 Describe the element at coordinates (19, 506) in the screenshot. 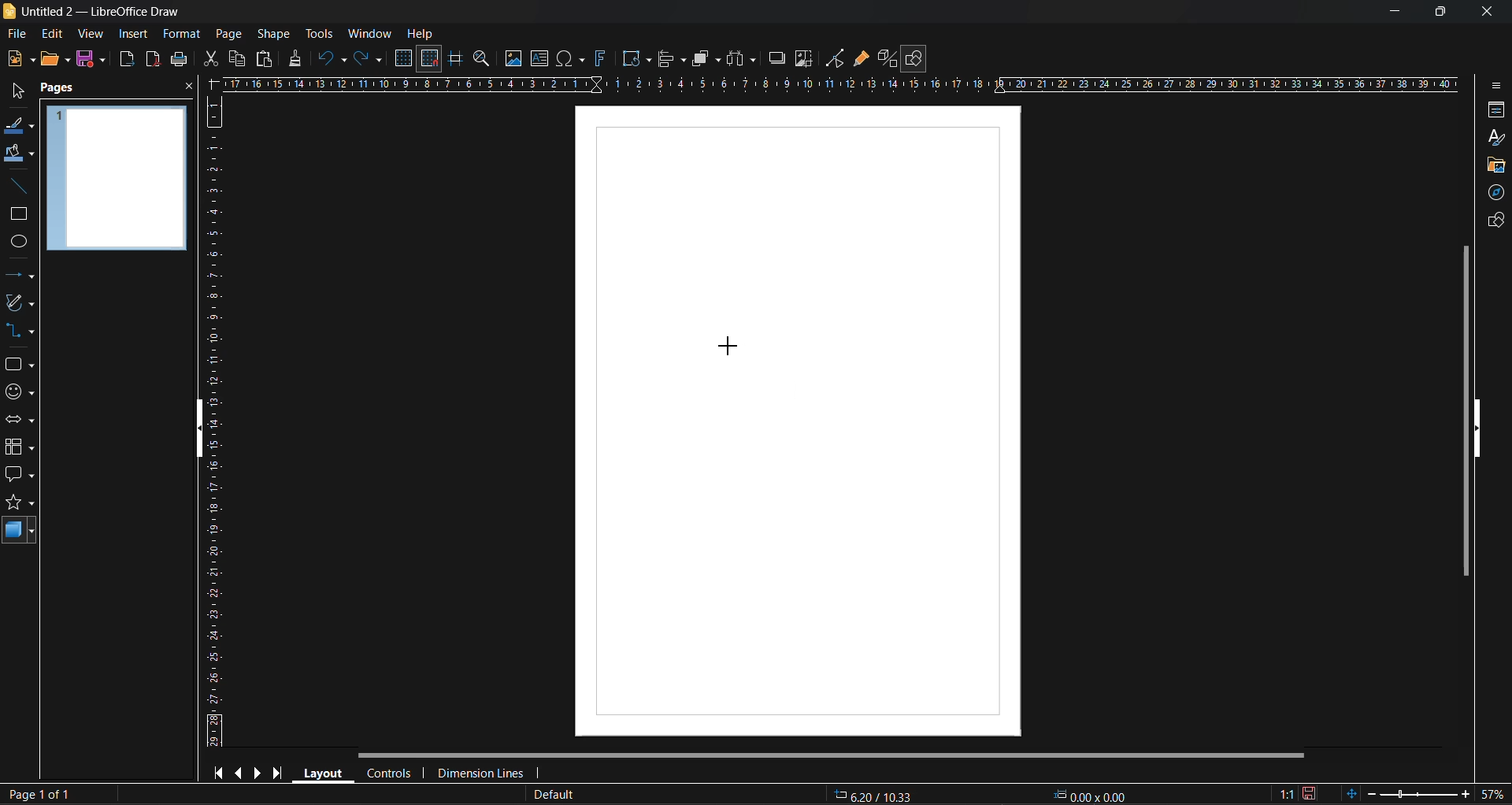

I see `stars and banners` at that location.